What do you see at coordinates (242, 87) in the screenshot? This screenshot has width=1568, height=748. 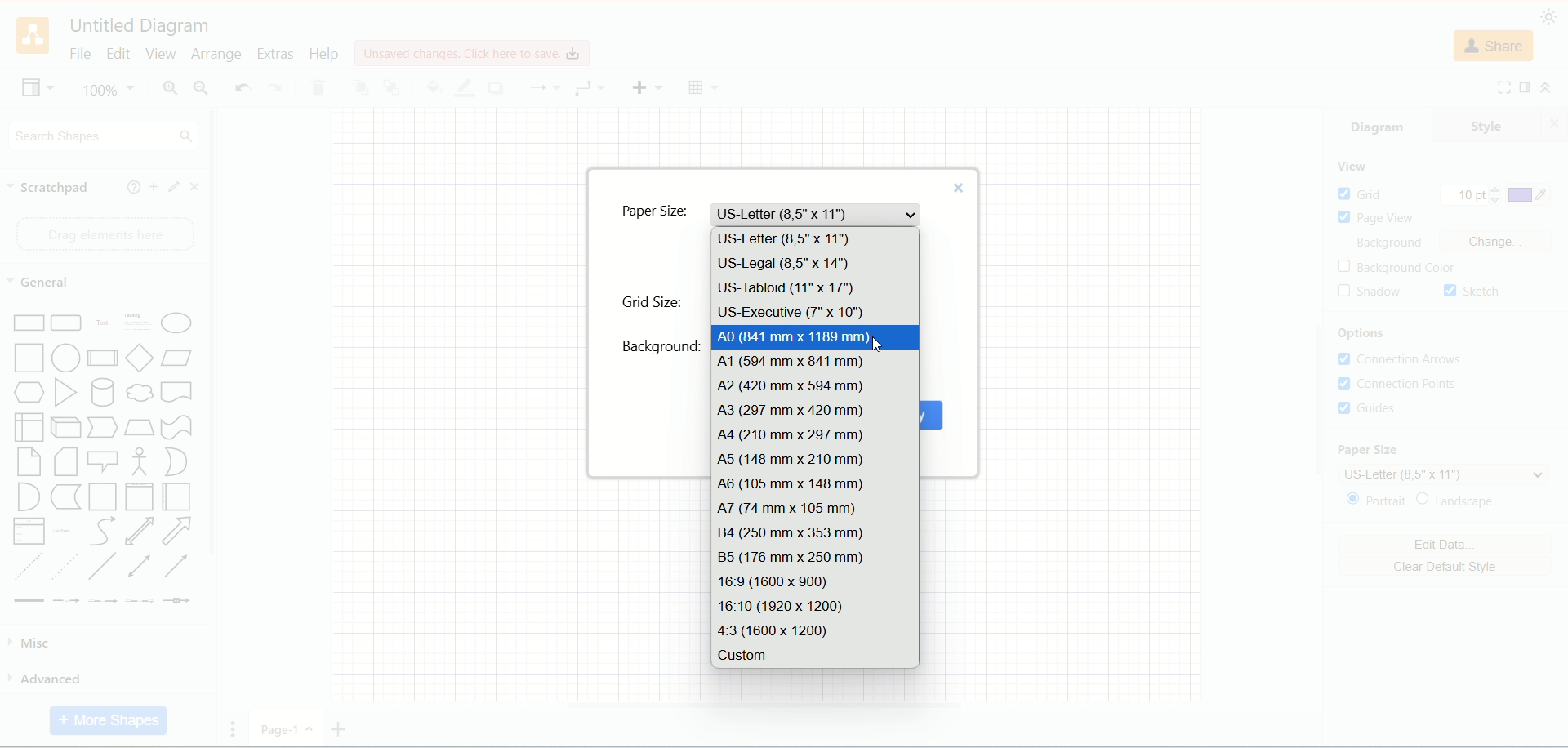 I see `undo` at bounding box center [242, 87].